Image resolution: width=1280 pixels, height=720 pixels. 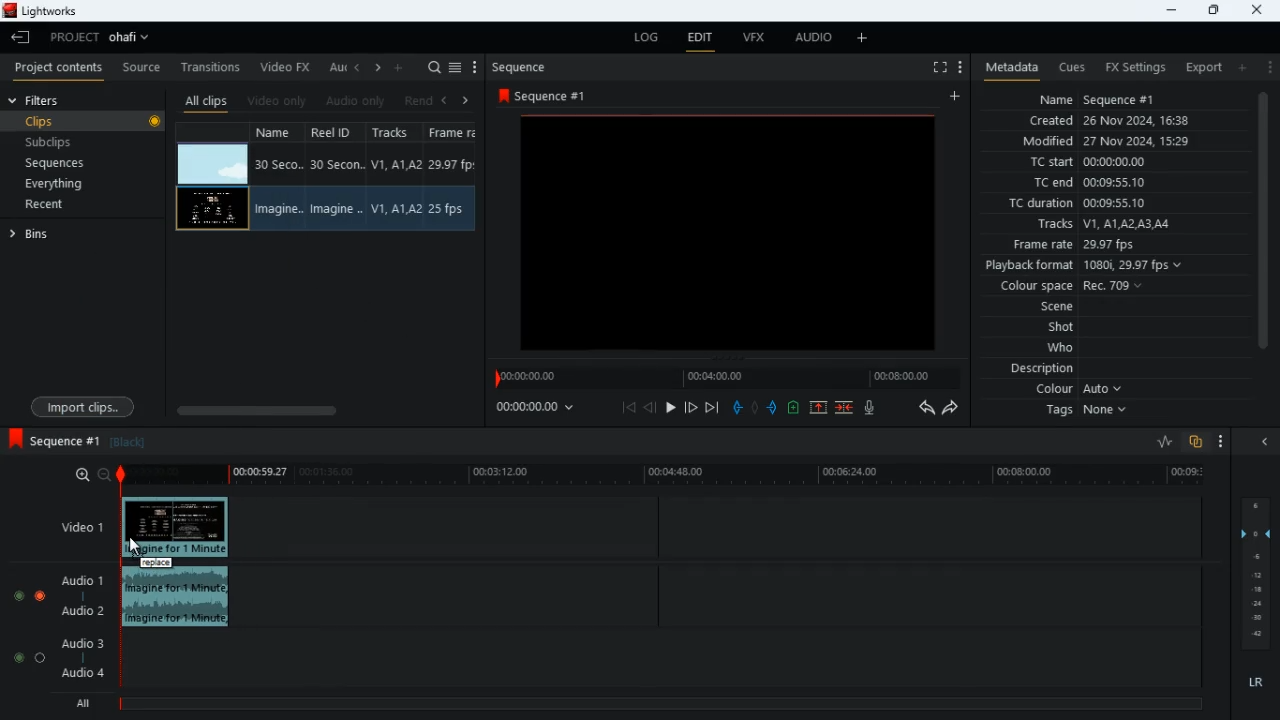 What do you see at coordinates (1261, 683) in the screenshot?
I see `LR` at bounding box center [1261, 683].